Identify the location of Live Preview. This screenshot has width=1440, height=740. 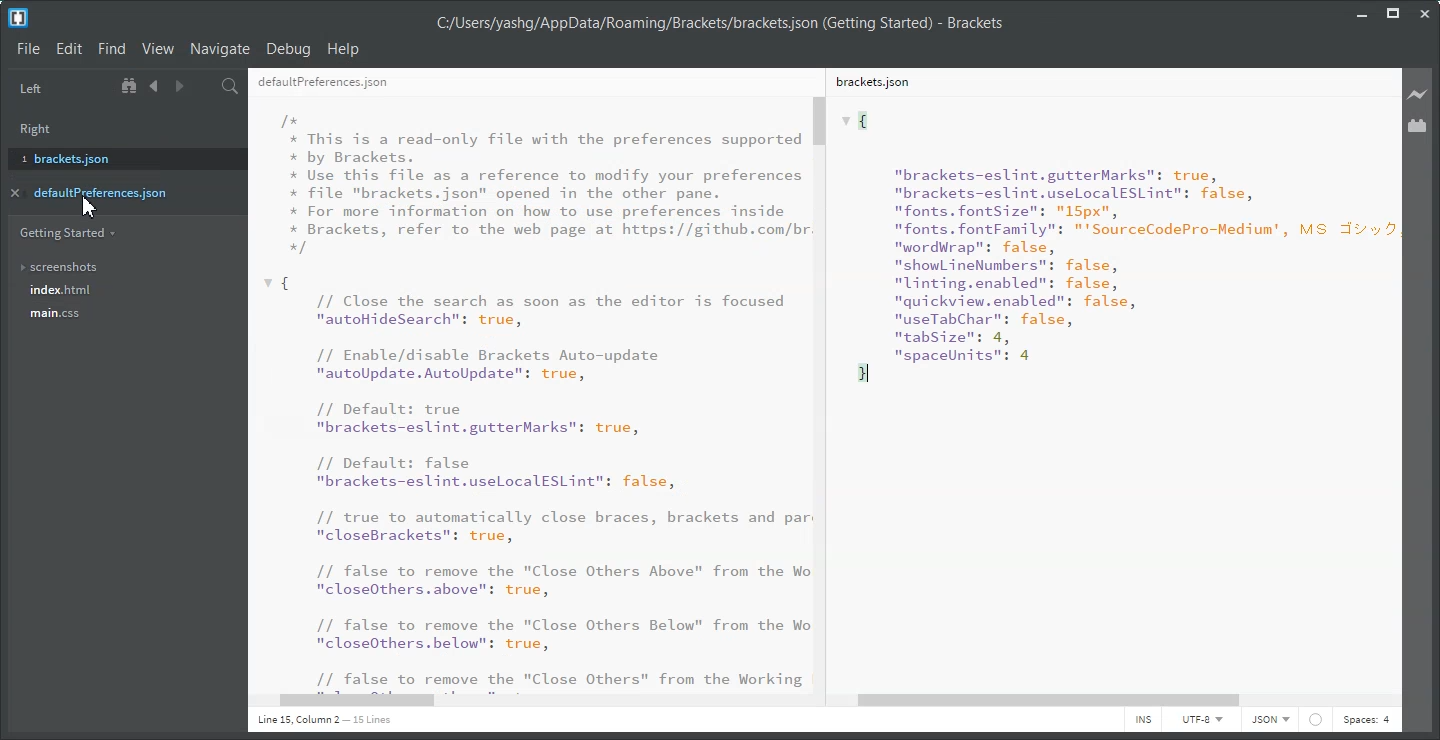
(1418, 94).